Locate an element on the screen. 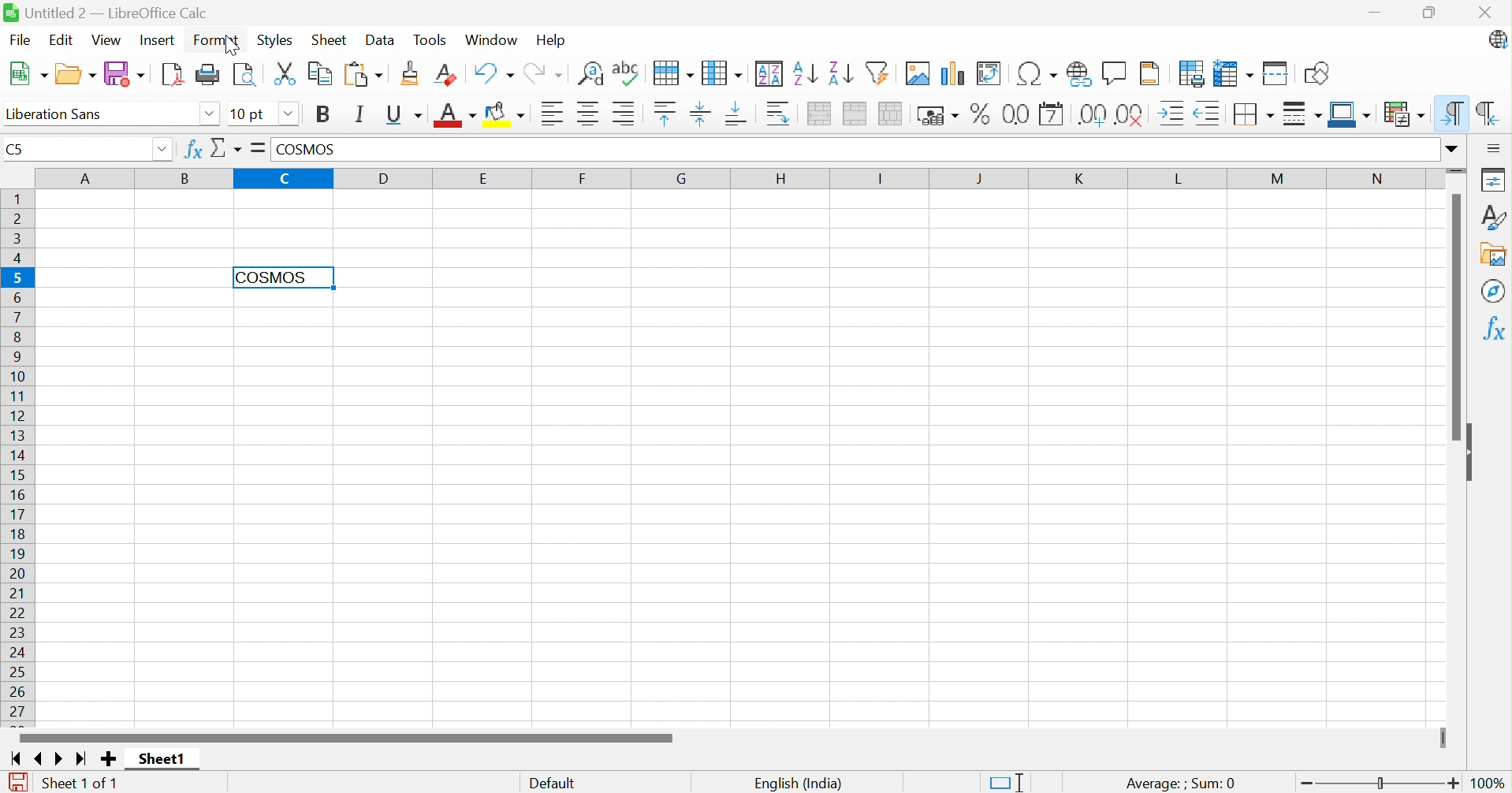  Italic is located at coordinates (362, 114).